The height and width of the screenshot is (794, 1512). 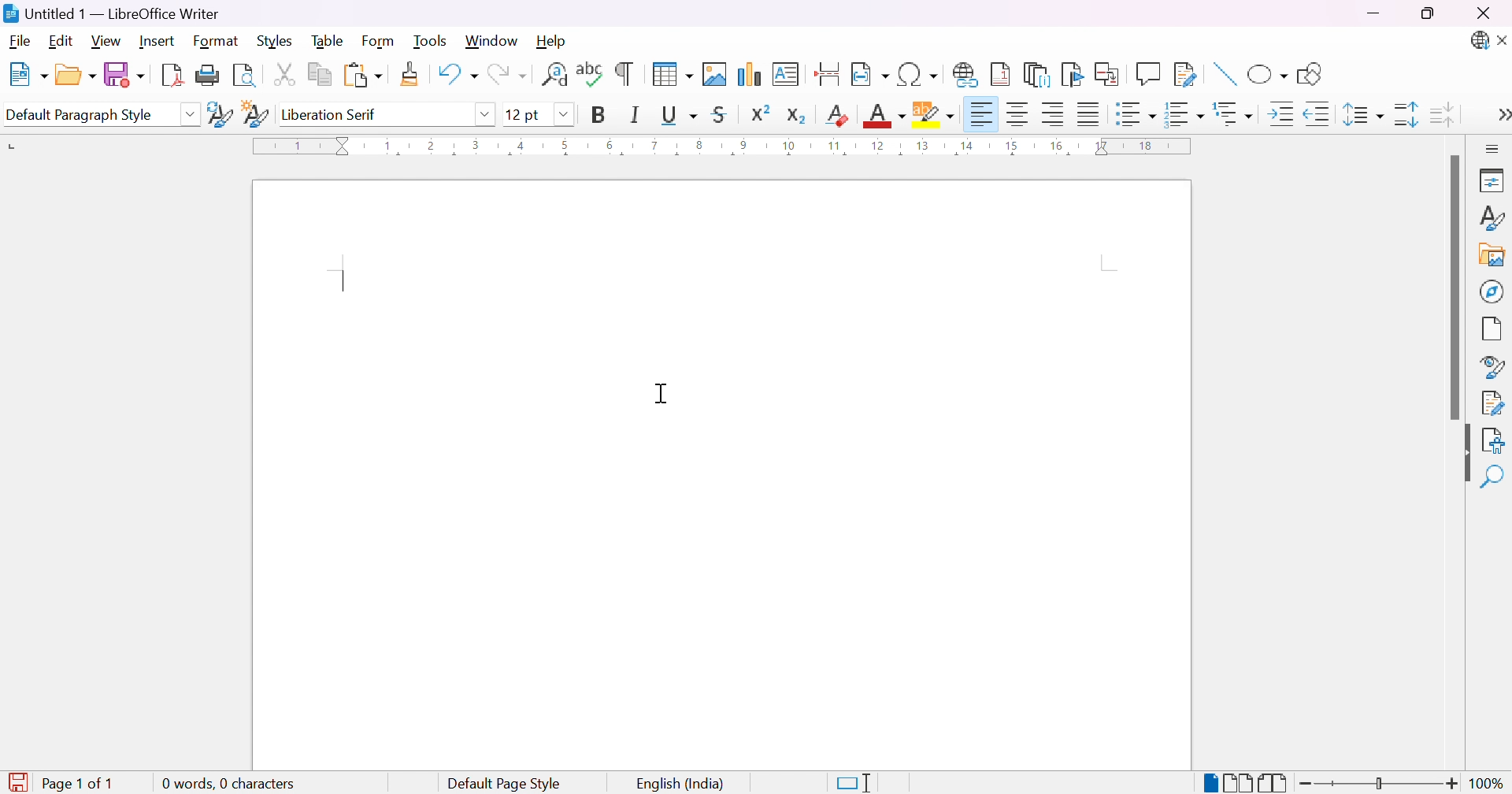 I want to click on Updates available., so click(x=1478, y=41).